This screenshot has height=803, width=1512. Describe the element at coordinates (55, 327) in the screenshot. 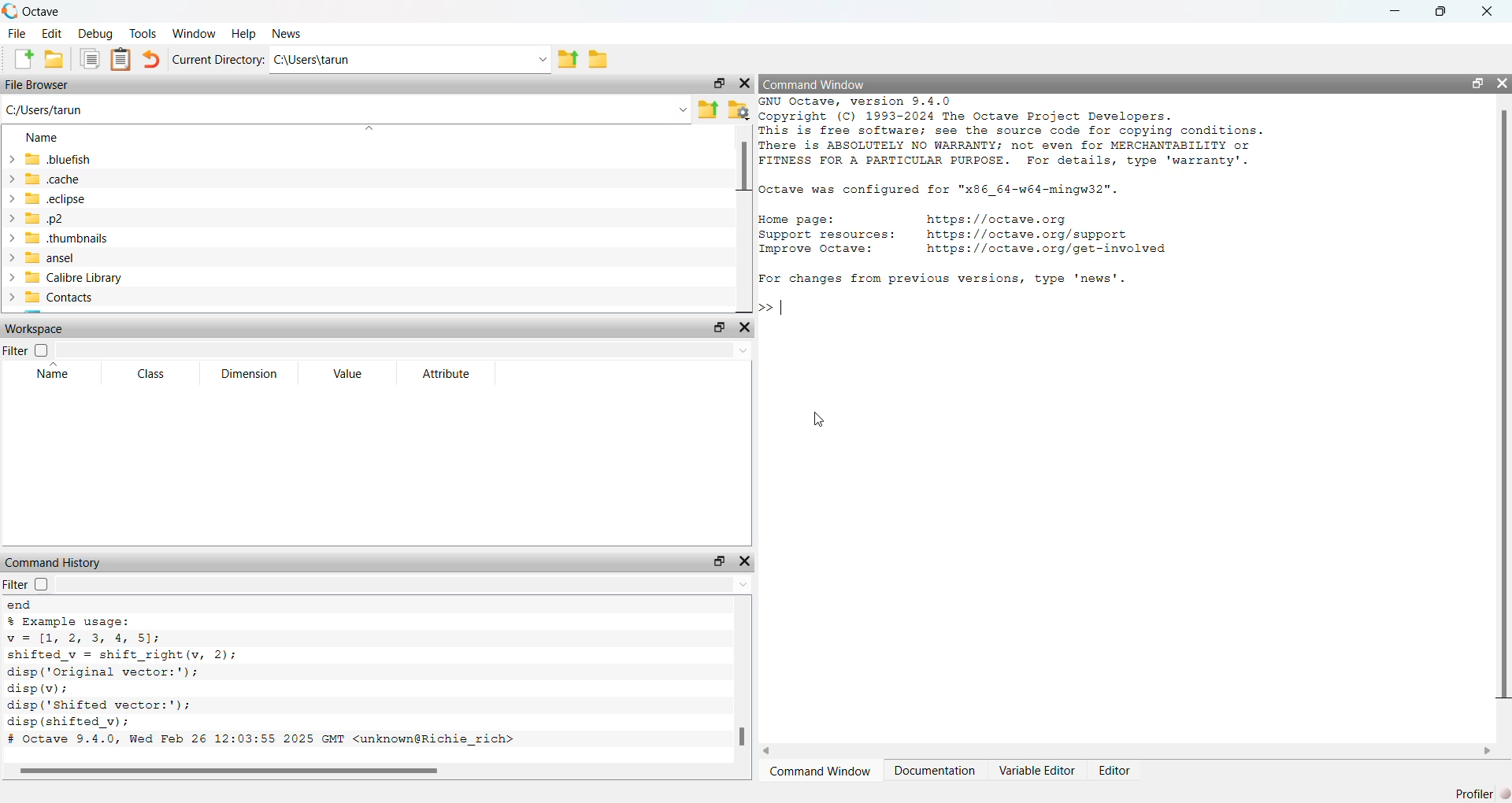

I see `workspace` at that location.